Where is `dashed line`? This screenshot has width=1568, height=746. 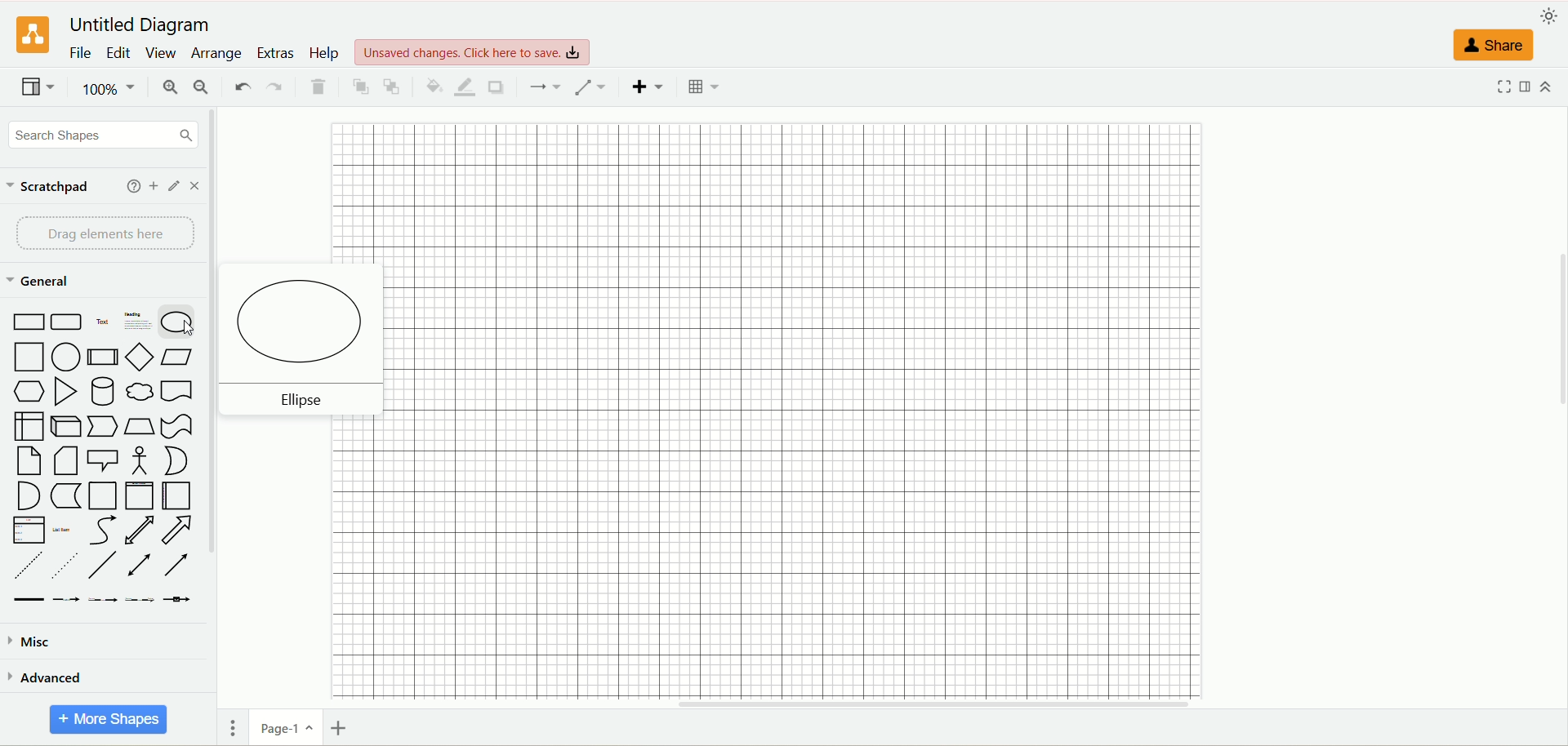
dashed line is located at coordinates (26, 565).